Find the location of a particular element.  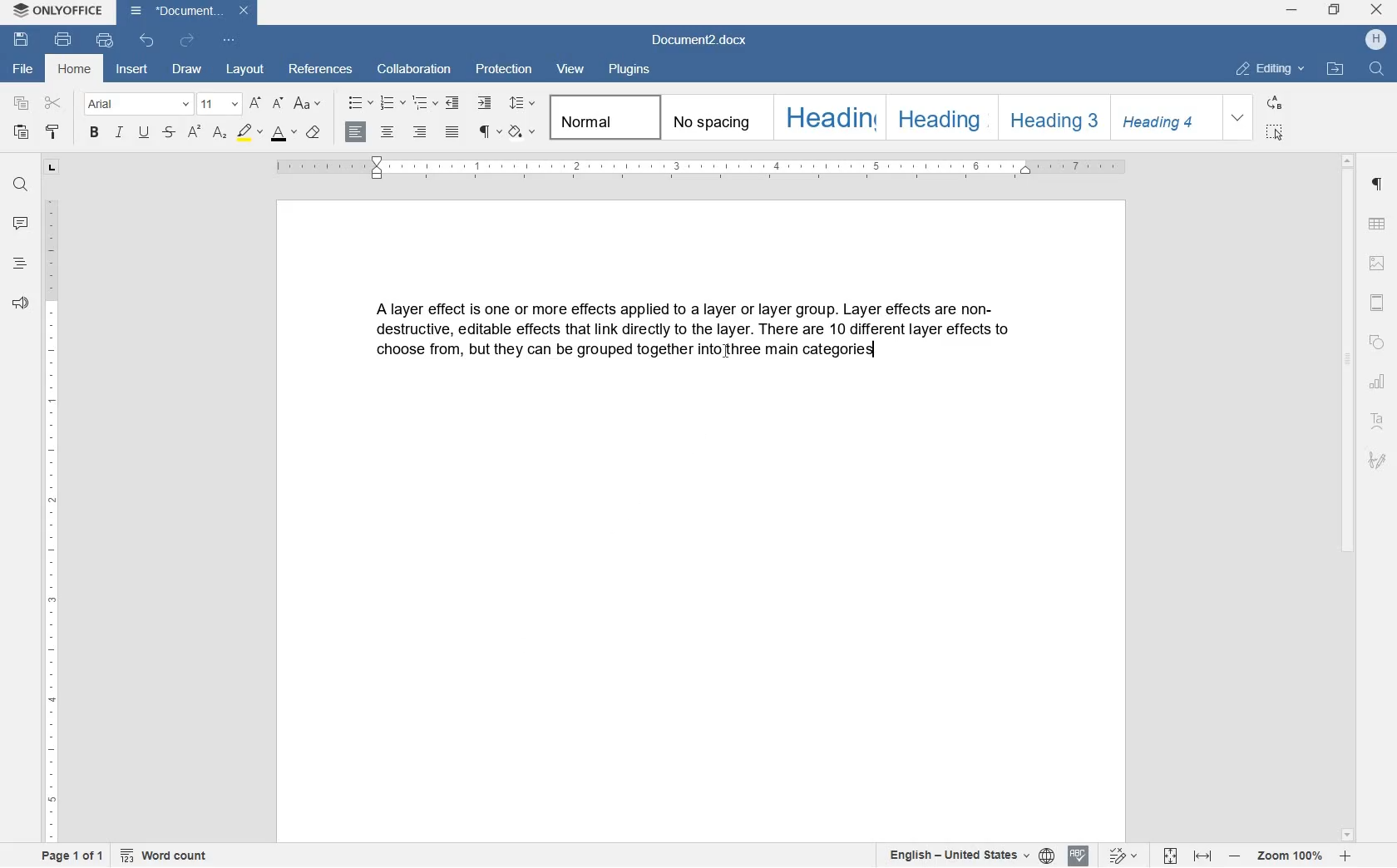

heading  is located at coordinates (18, 264).